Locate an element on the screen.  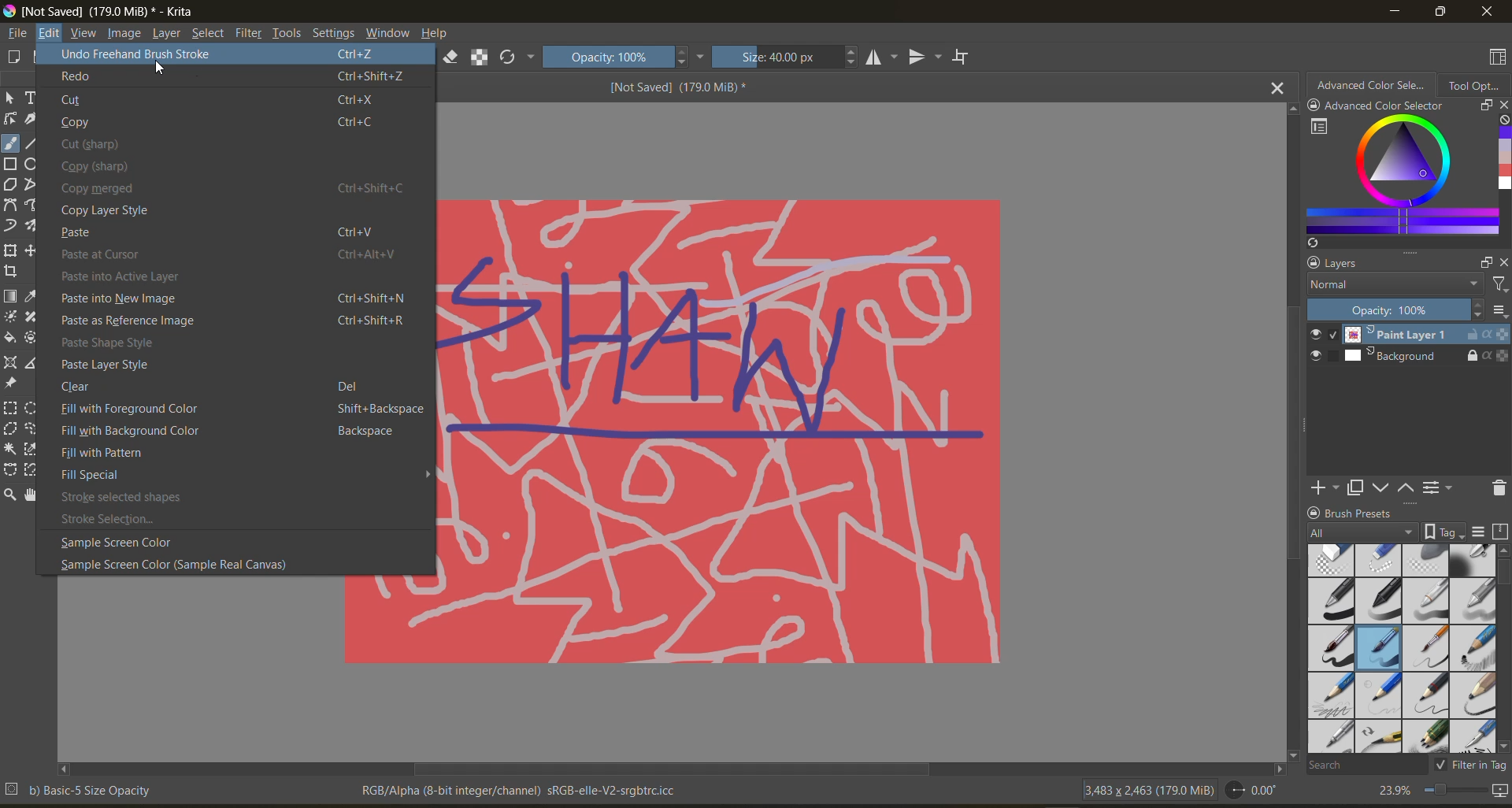
pan tool is located at coordinates (35, 494).